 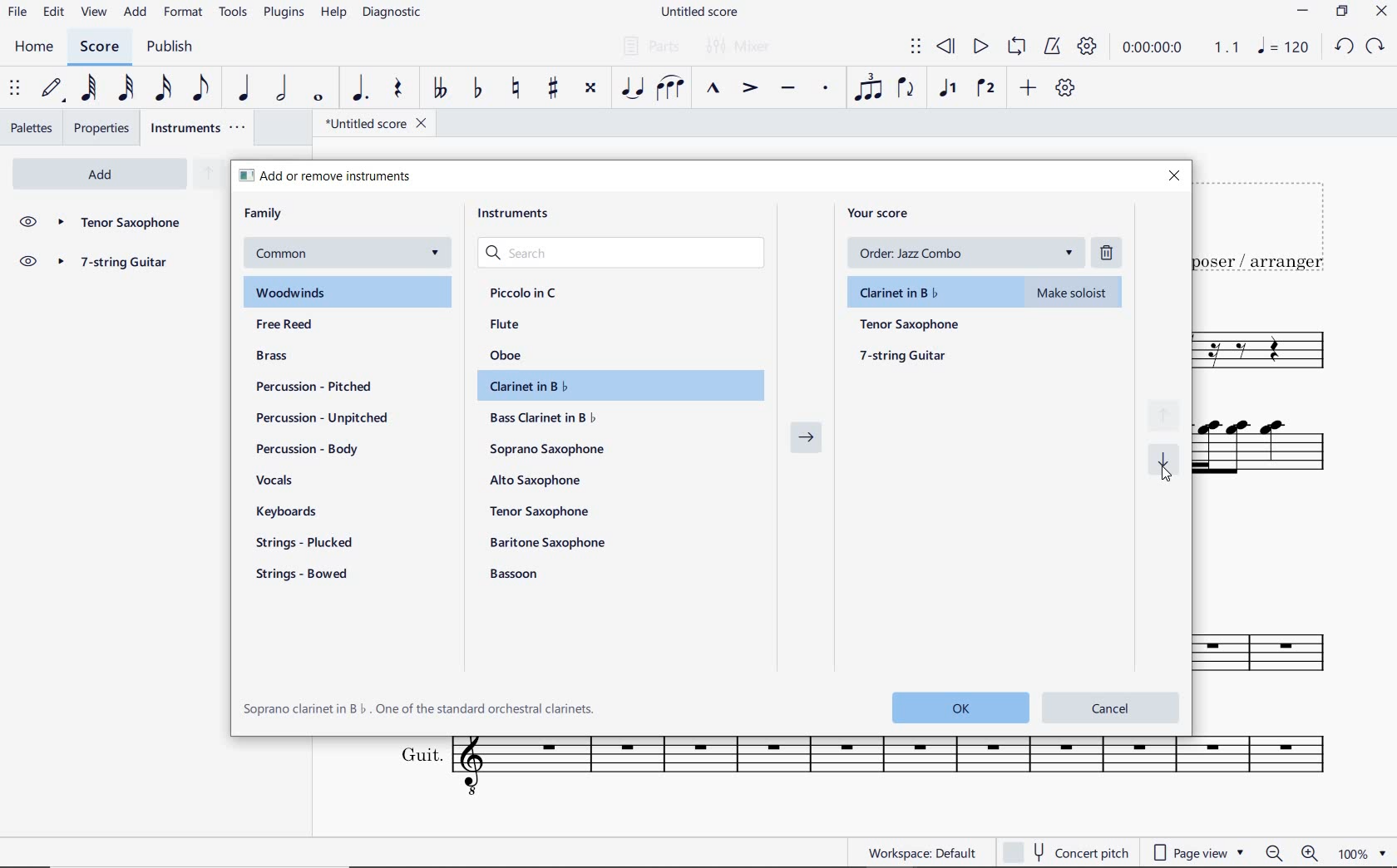 What do you see at coordinates (1051, 47) in the screenshot?
I see `METRONOME` at bounding box center [1051, 47].